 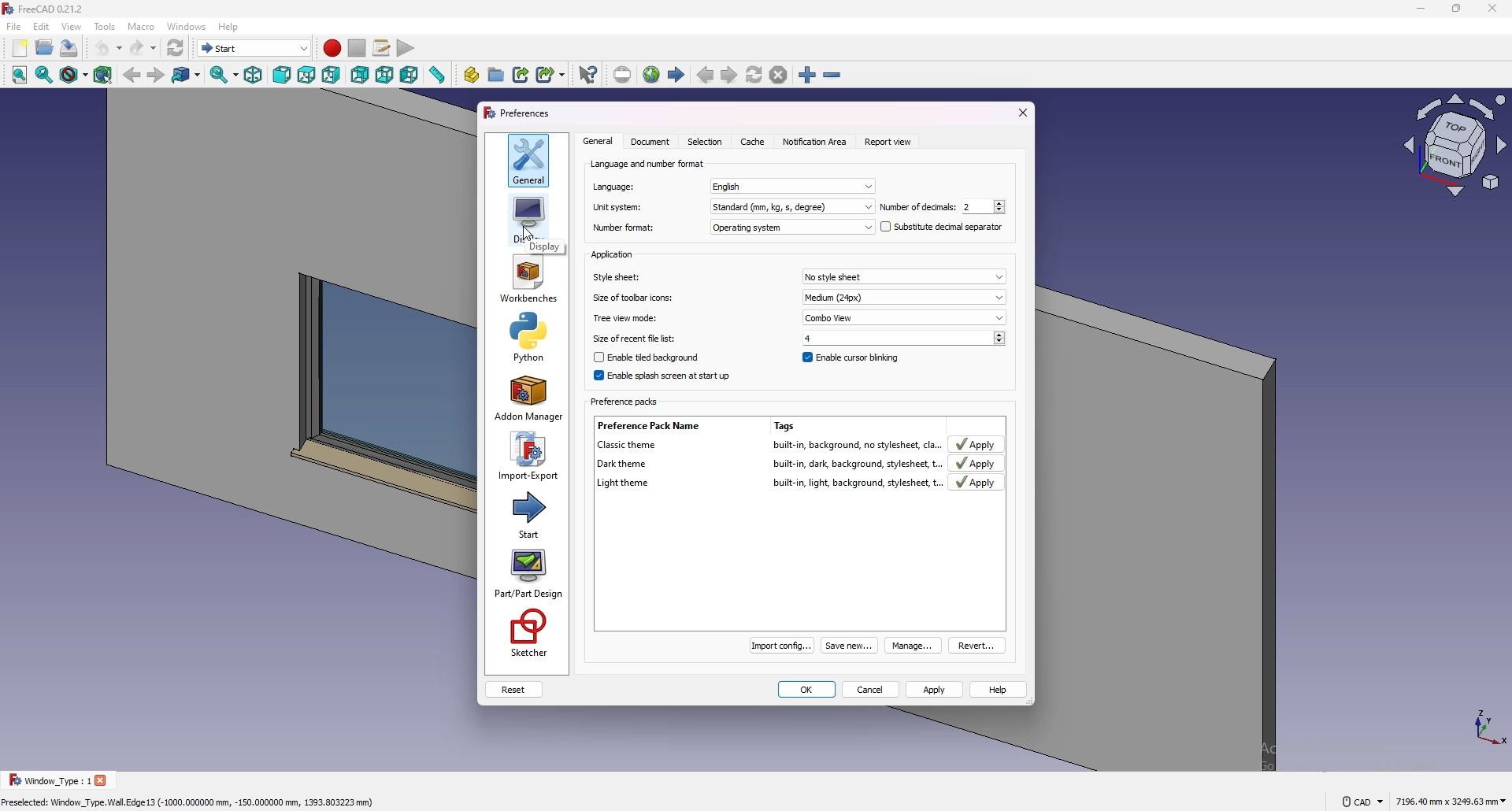 I want to click on new, so click(x=19, y=48).